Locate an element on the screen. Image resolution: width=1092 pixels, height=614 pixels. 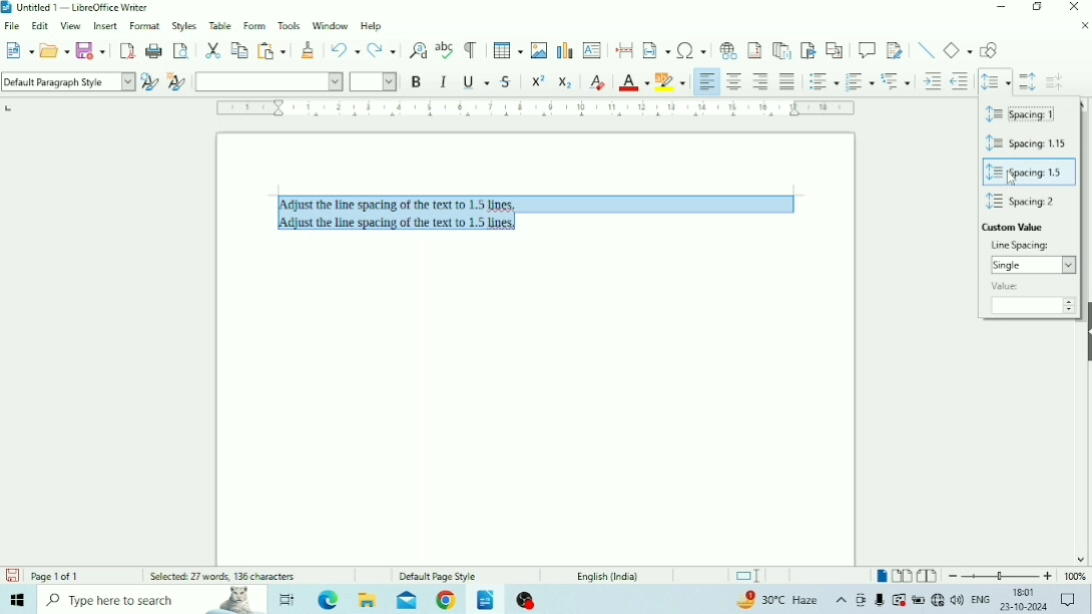
Find and Replace is located at coordinates (417, 49).